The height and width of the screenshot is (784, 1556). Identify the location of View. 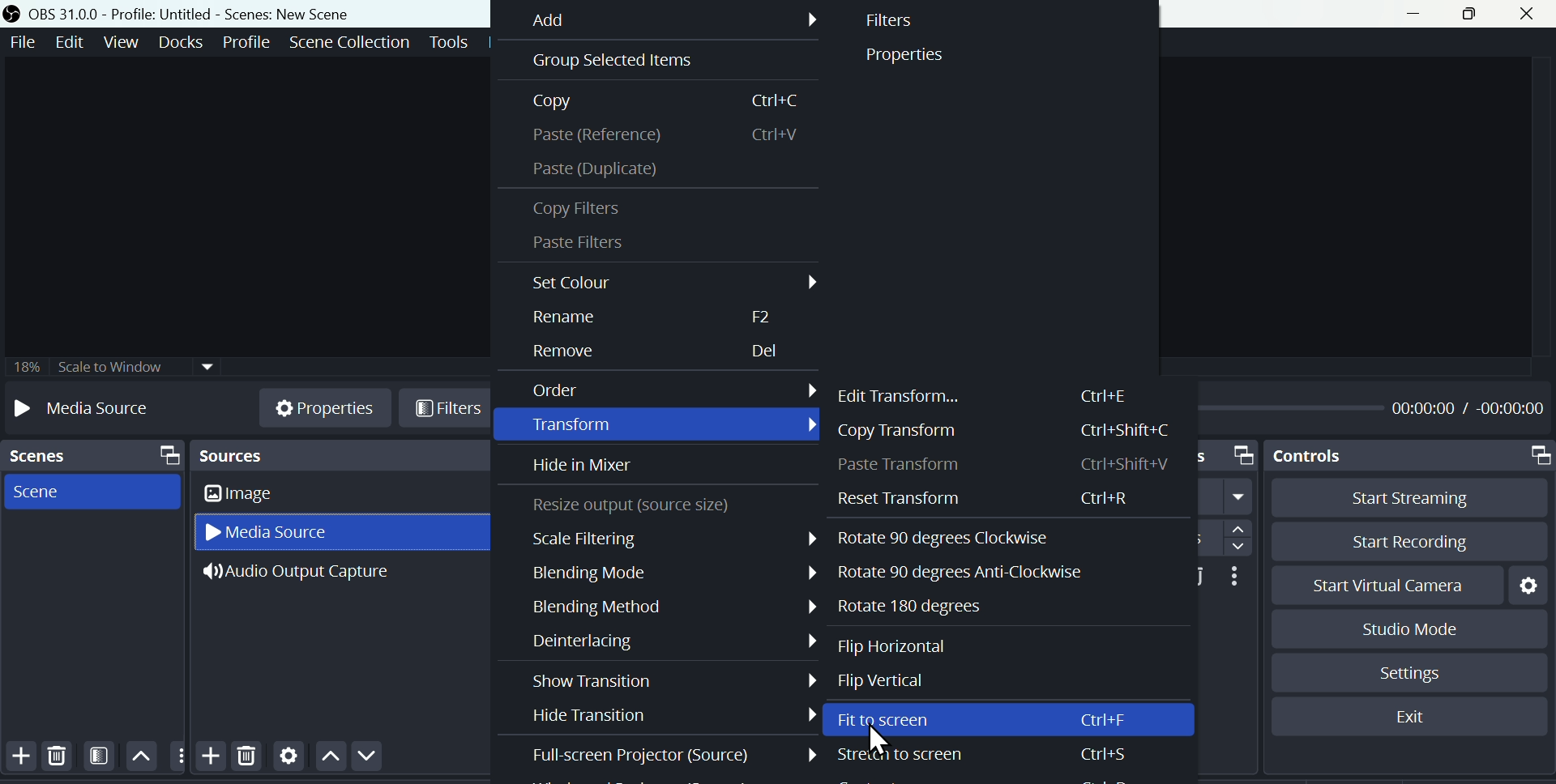
(121, 41).